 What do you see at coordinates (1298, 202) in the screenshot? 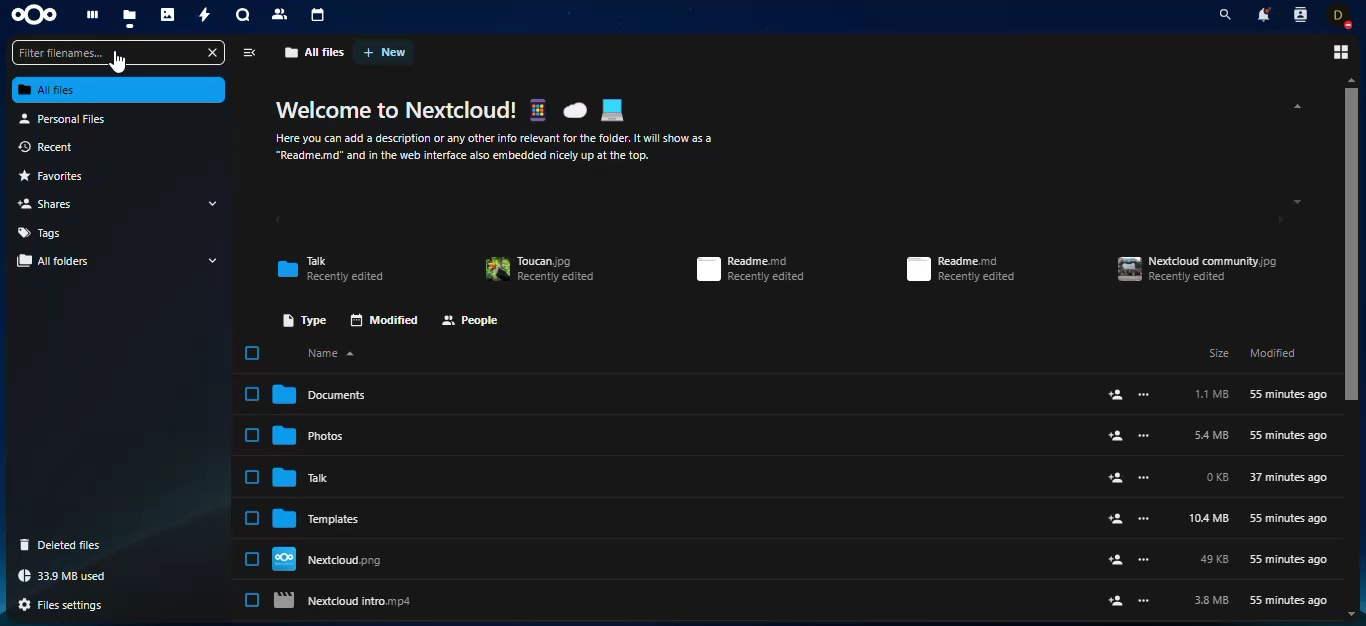
I see `scroll down` at bounding box center [1298, 202].